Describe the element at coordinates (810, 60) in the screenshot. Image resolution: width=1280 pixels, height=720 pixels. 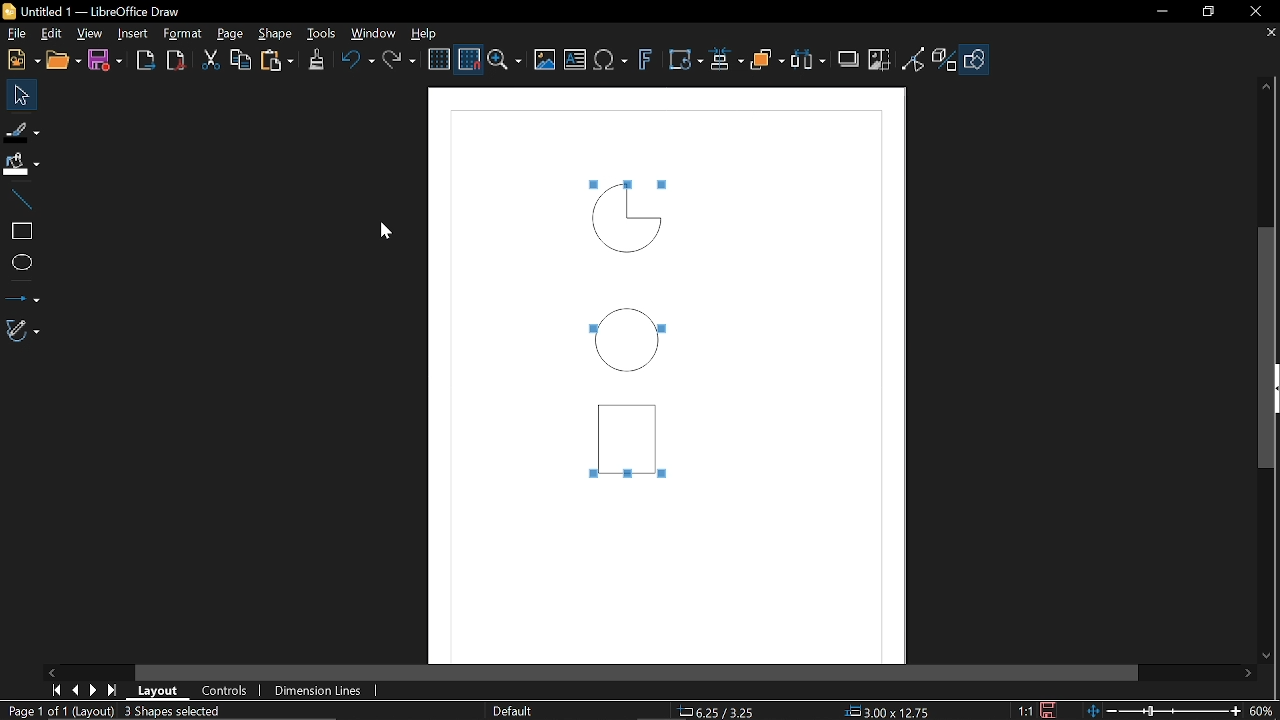
I see `Select at least three objects to distribute` at that location.